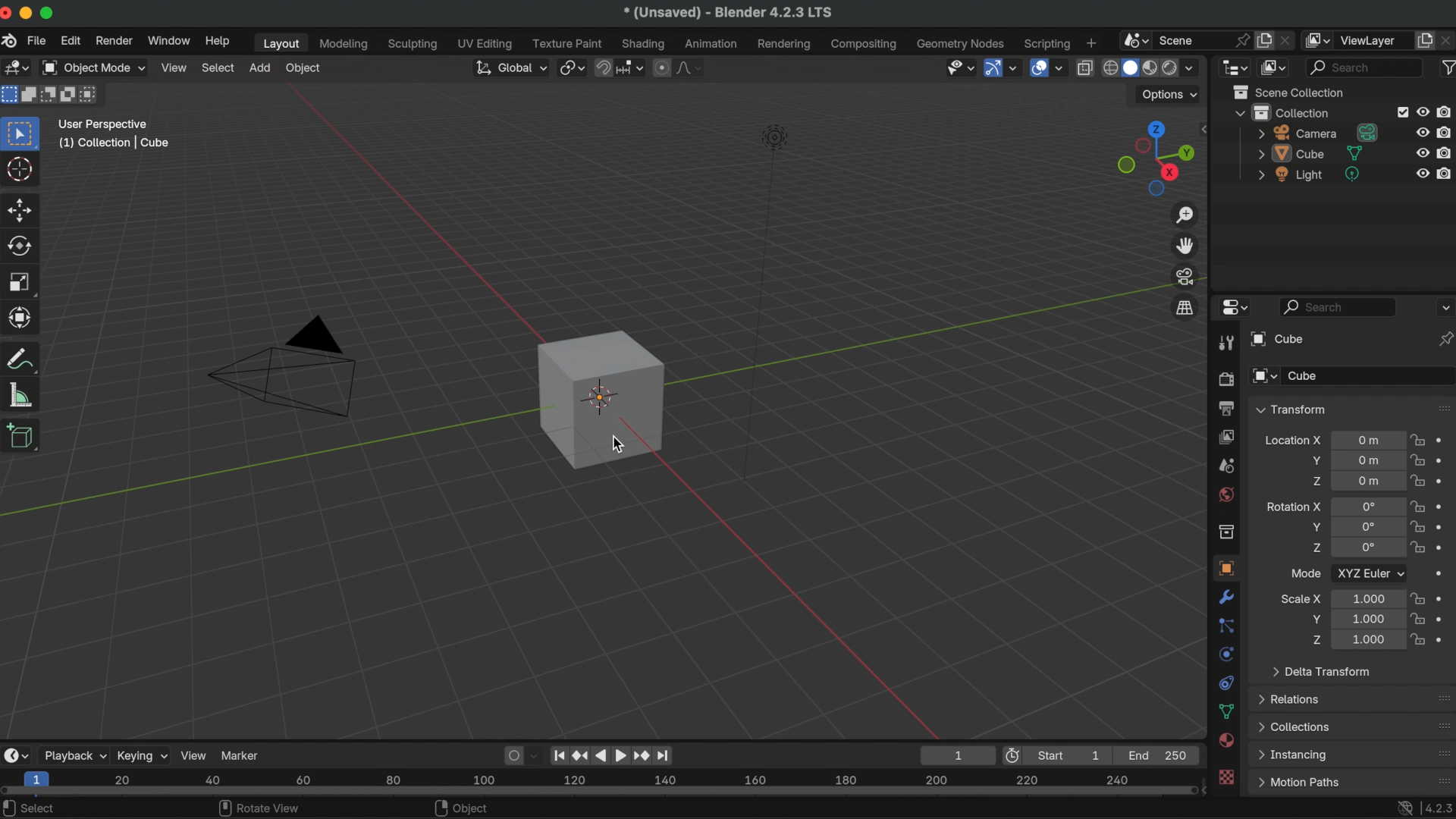  Describe the element at coordinates (610, 755) in the screenshot. I see `play animation` at that location.